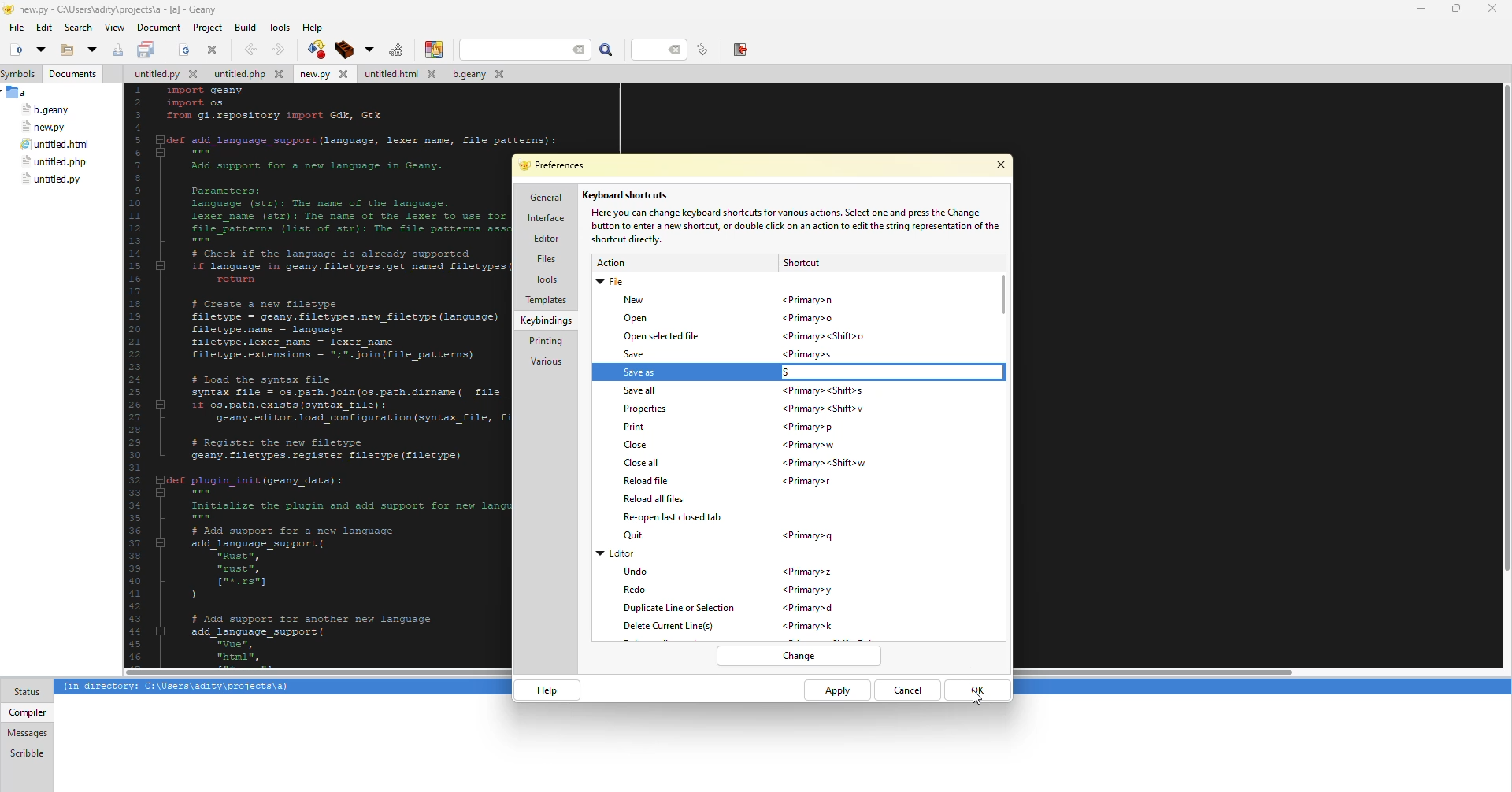  What do you see at coordinates (811, 445) in the screenshot?
I see `shortcut` at bounding box center [811, 445].